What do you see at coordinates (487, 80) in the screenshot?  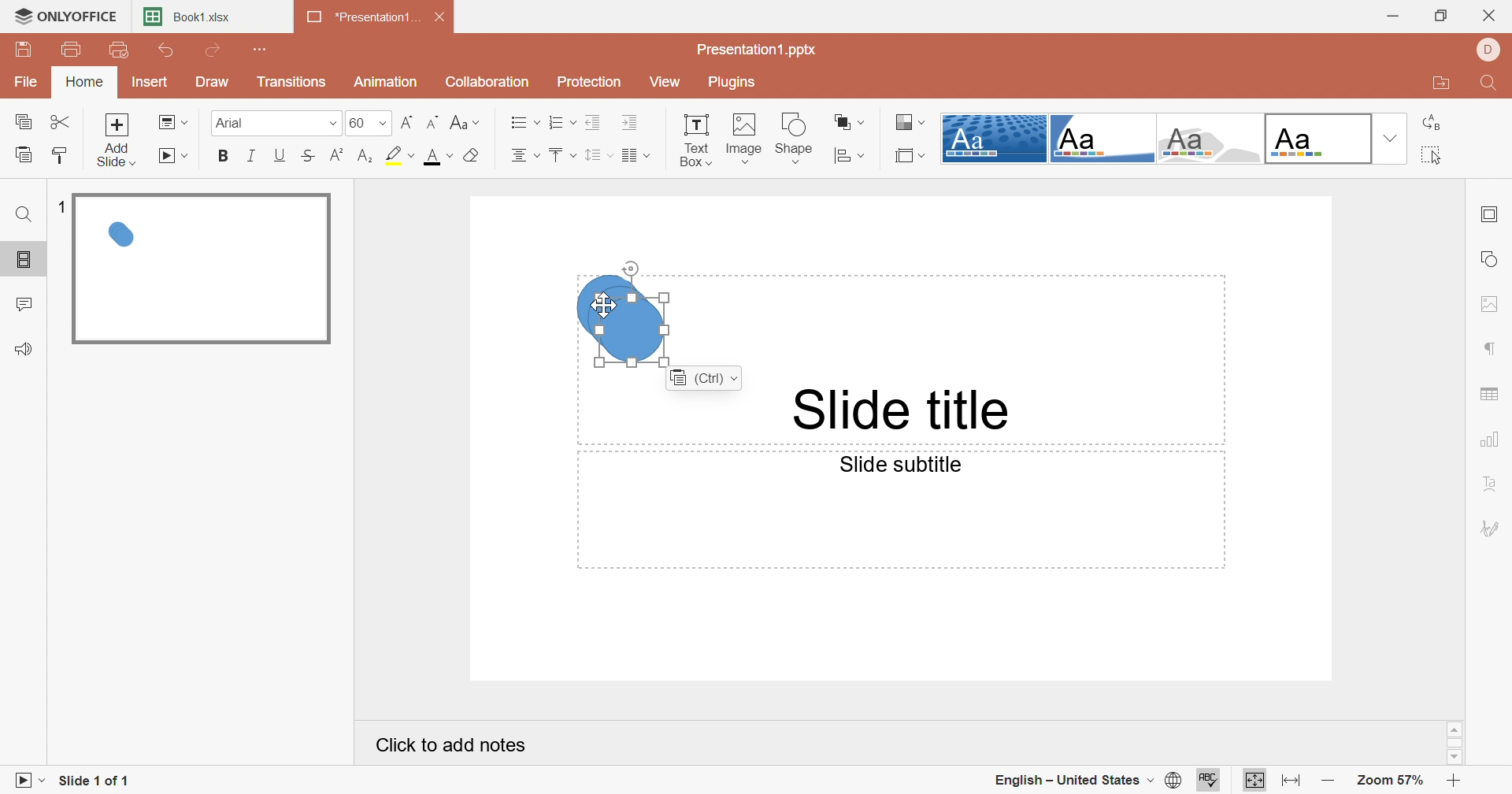 I see `Collaboration` at bounding box center [487, 80].